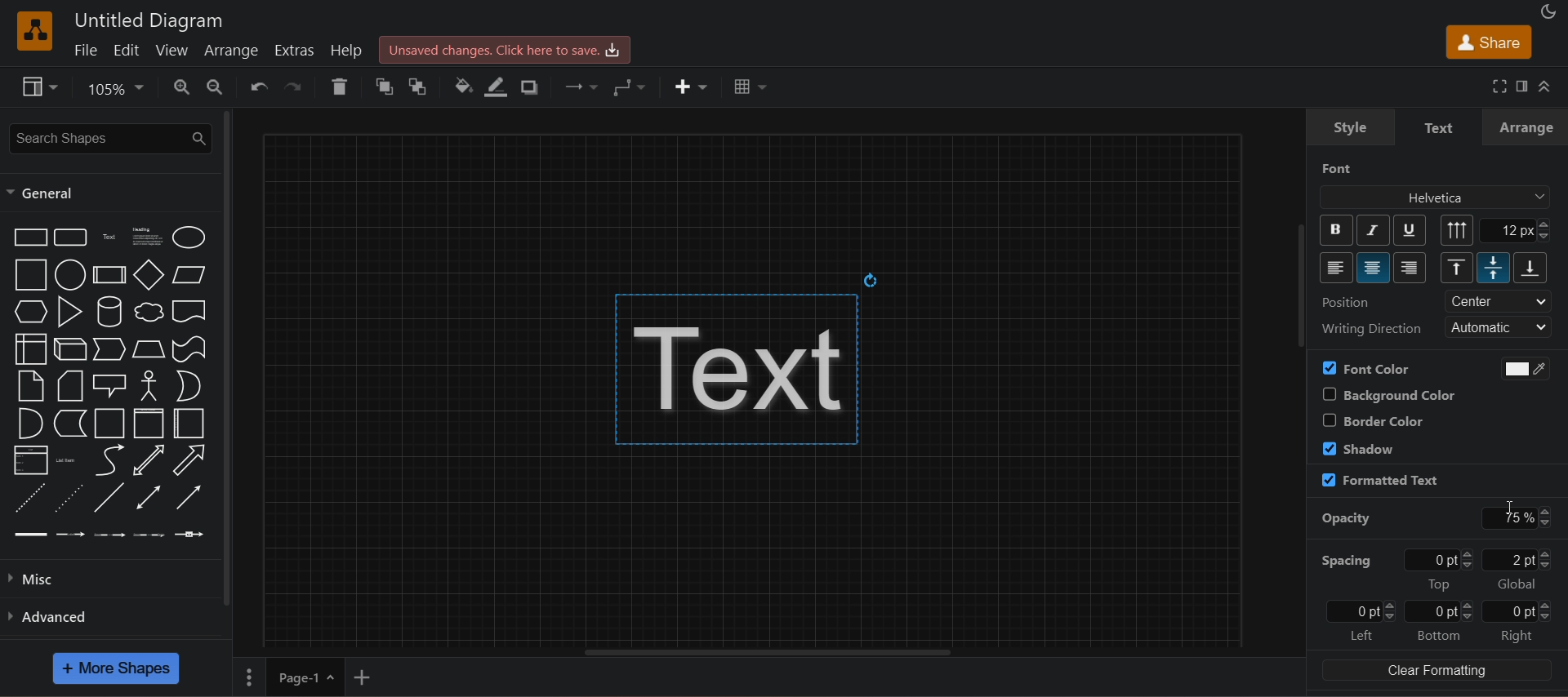  What do you see at coordinates (1337, 268) in the screenshot?
I see `left` at bounding box center [1337, 268].